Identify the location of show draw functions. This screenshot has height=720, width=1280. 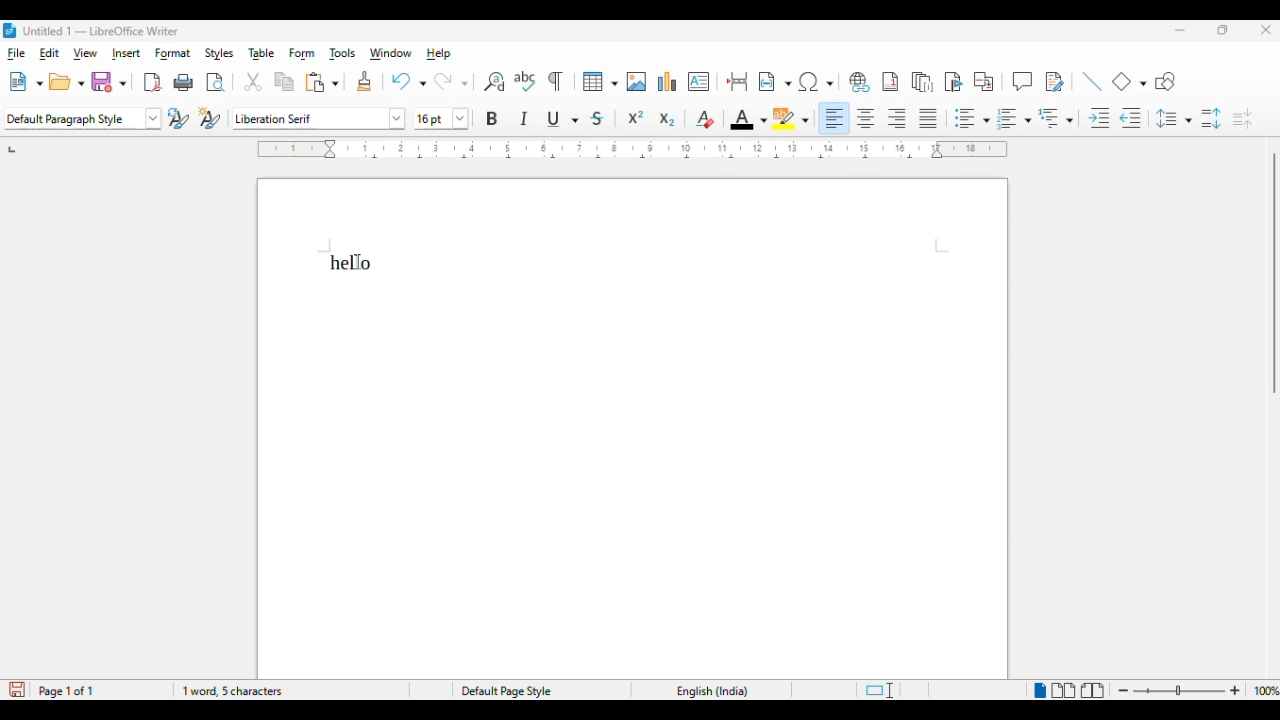
(1166, 82).